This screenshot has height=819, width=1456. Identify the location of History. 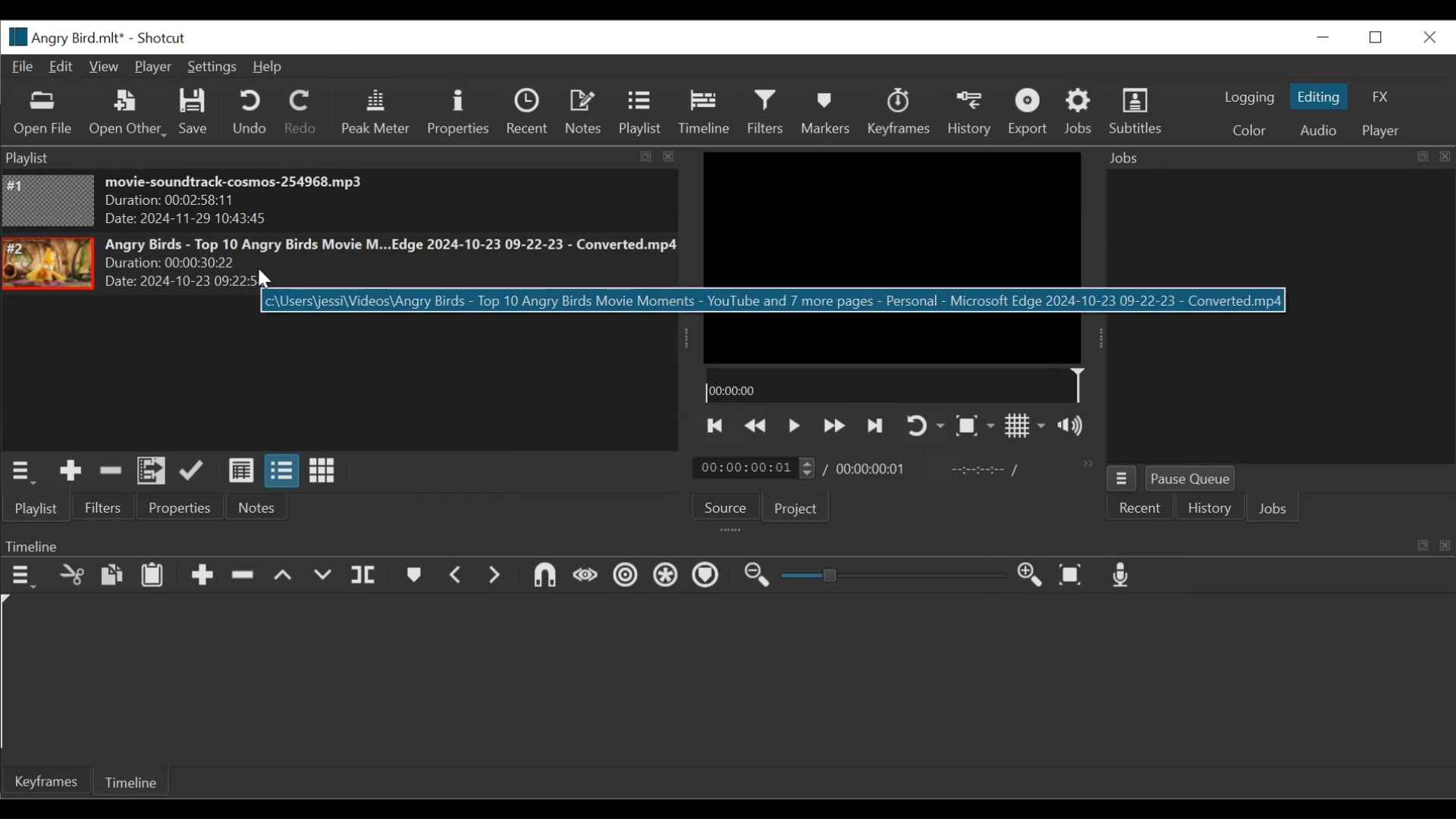
(1209, 508).